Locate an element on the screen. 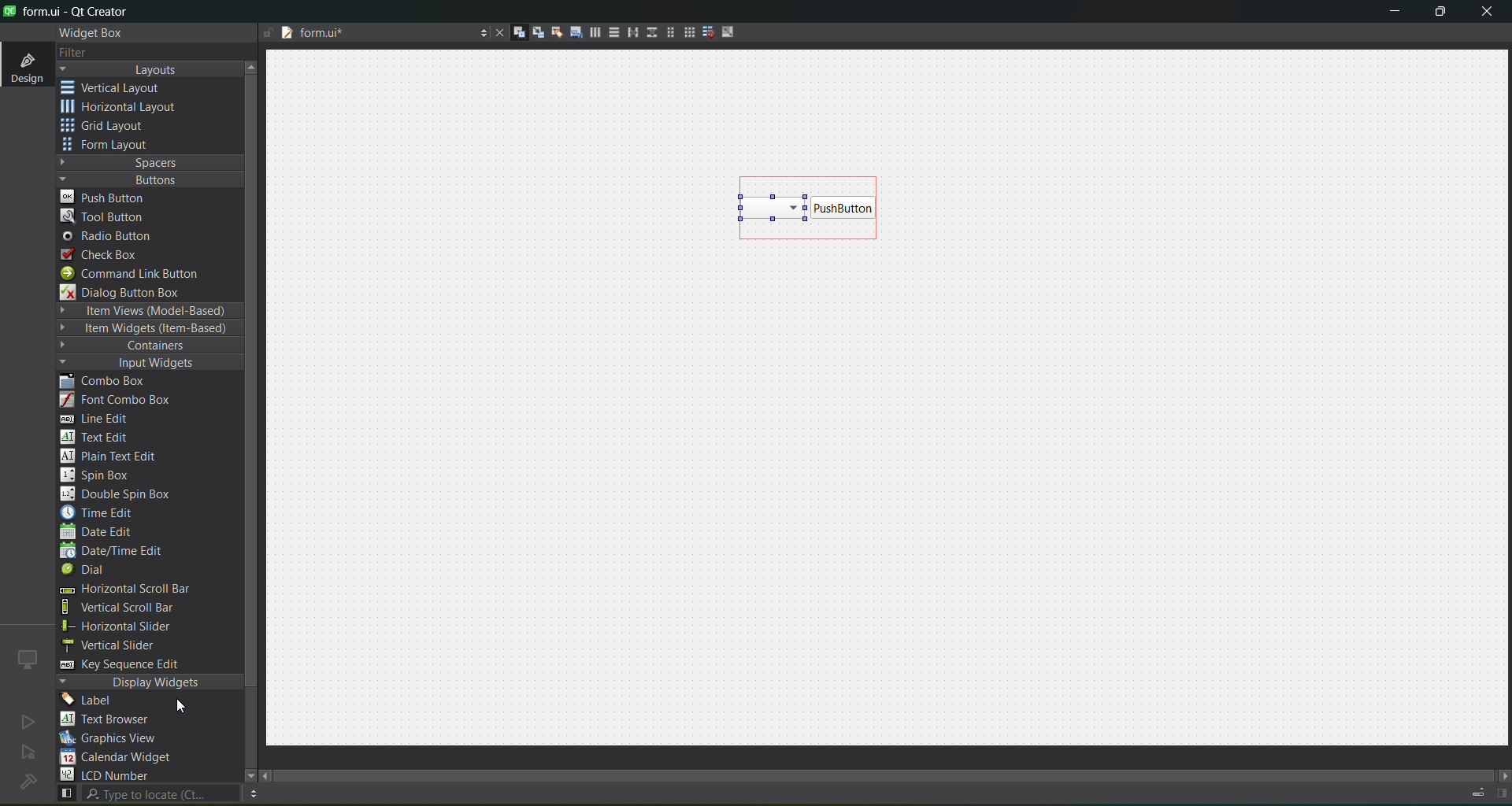 This screenshot has height=806, width=1512. layout in a form is located at coordinates (665, 32).